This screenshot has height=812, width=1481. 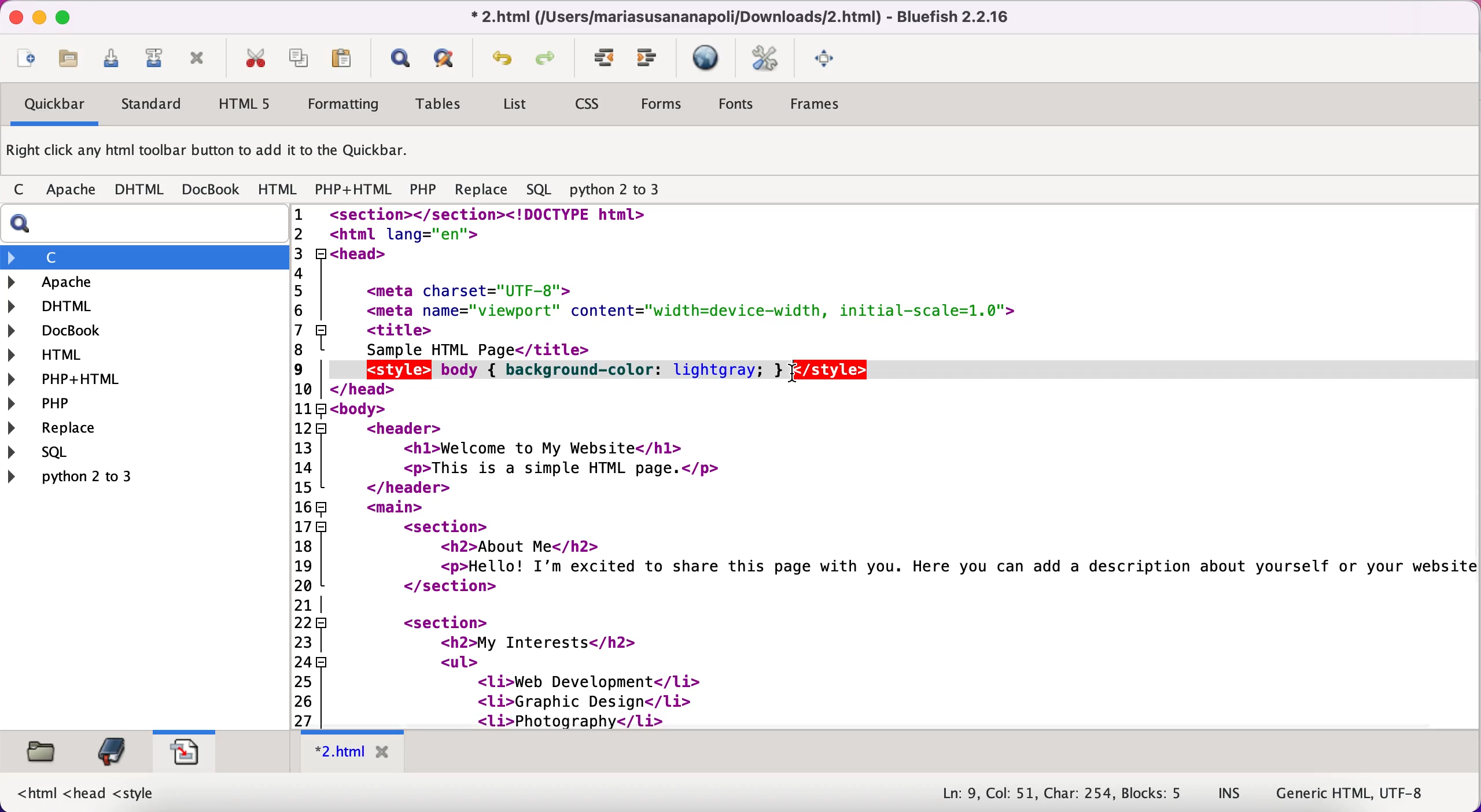 What do you see at coordinates (72, 403) in the screenshot?
I see `php` at bounding box center [72, 403].